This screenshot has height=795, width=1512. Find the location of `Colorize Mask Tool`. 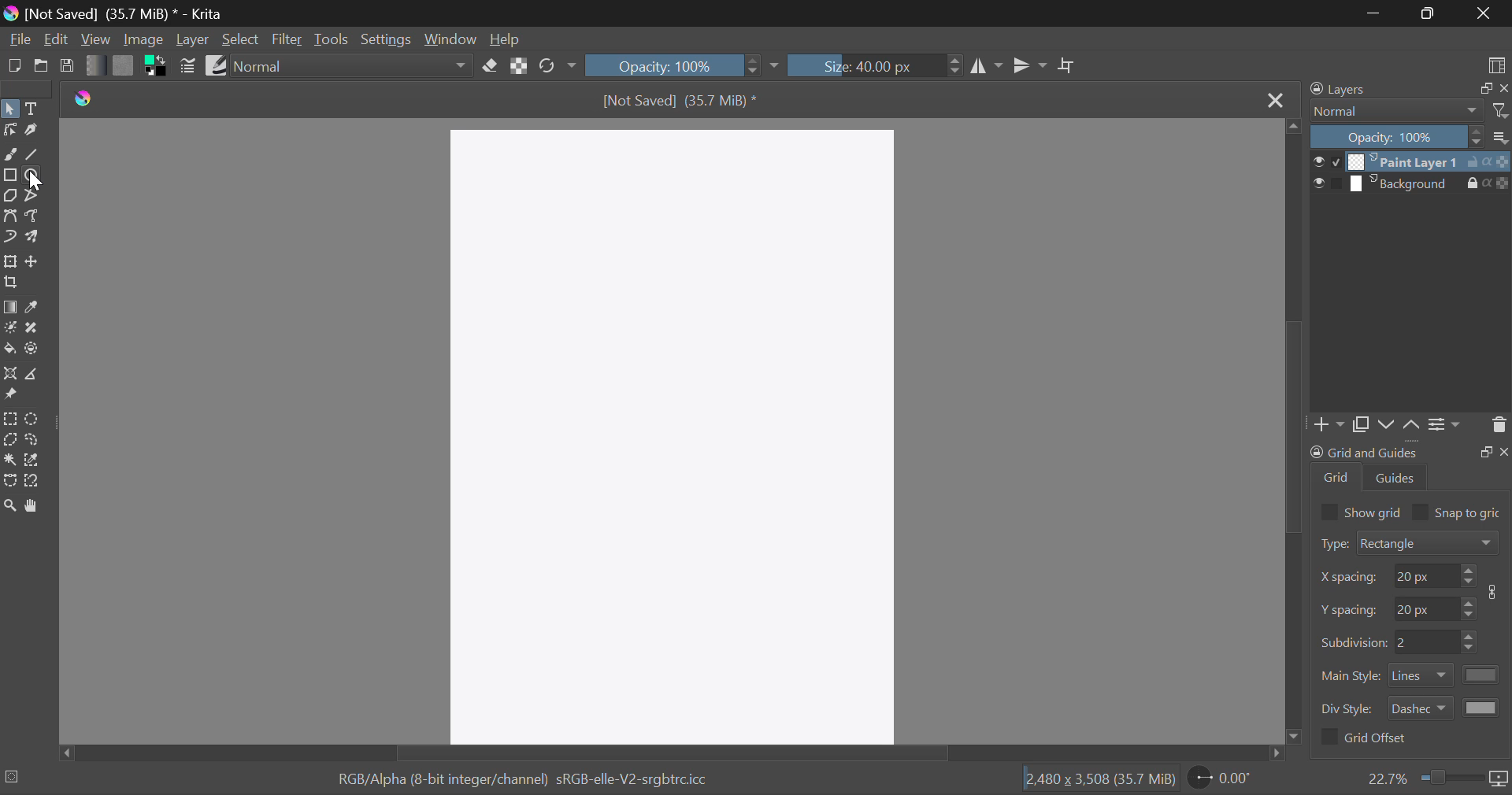

Colorize Mask Tool is located at coordinates (10, 328).